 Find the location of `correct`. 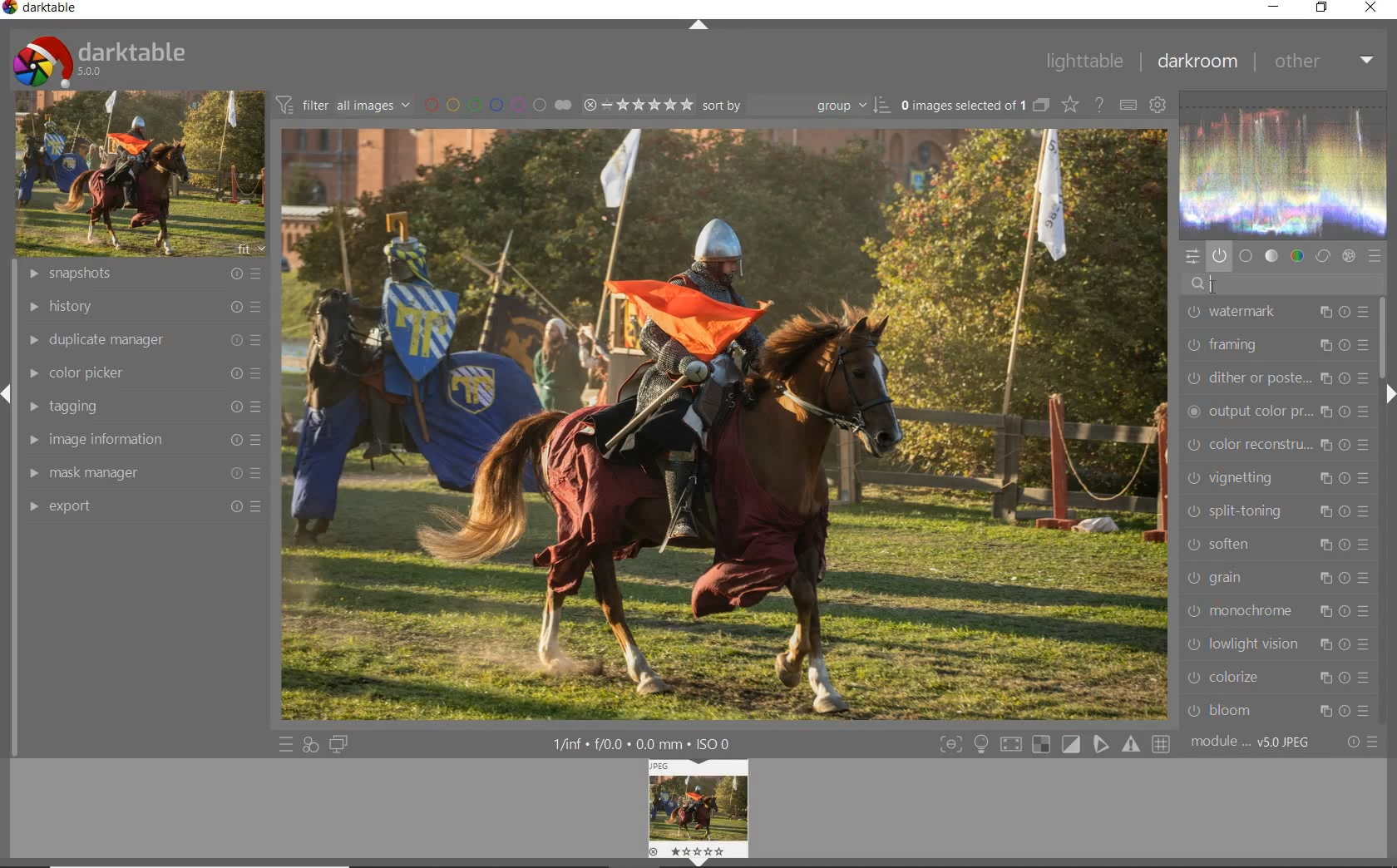

correct is located at coordinates (1324, 256).